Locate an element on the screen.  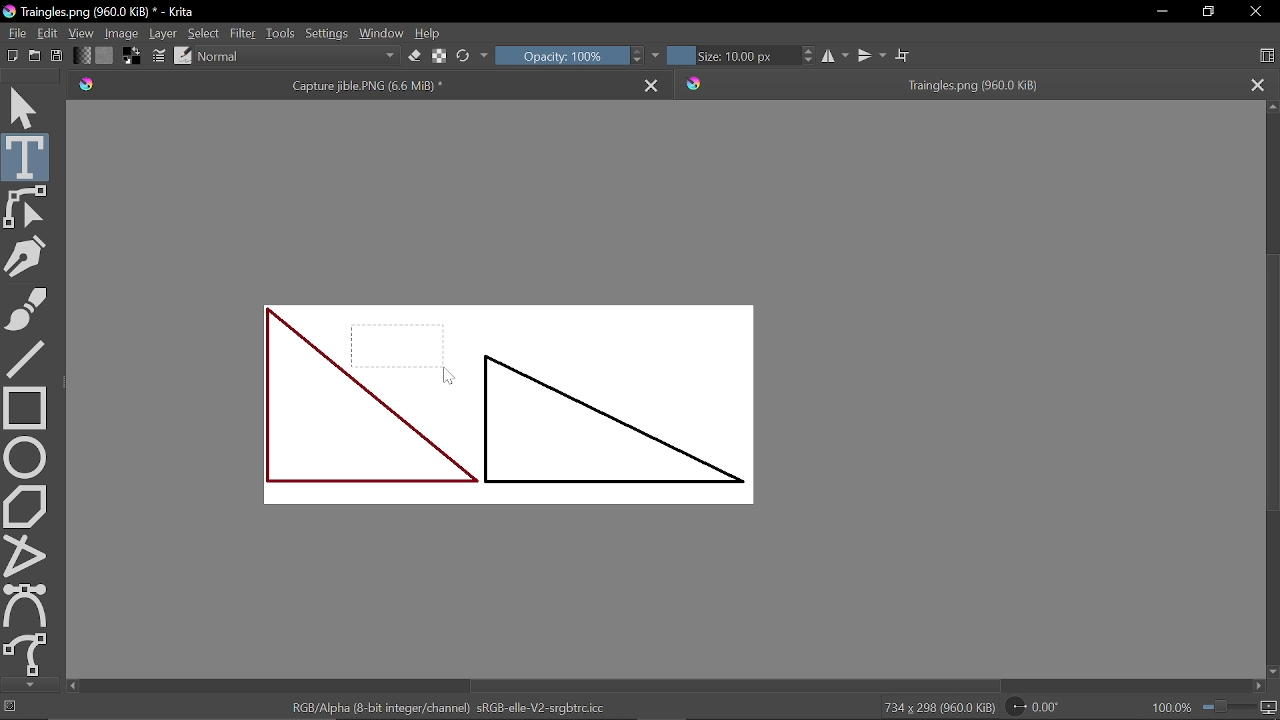
vertical scrollbar is located at coordinates (1269, 379).